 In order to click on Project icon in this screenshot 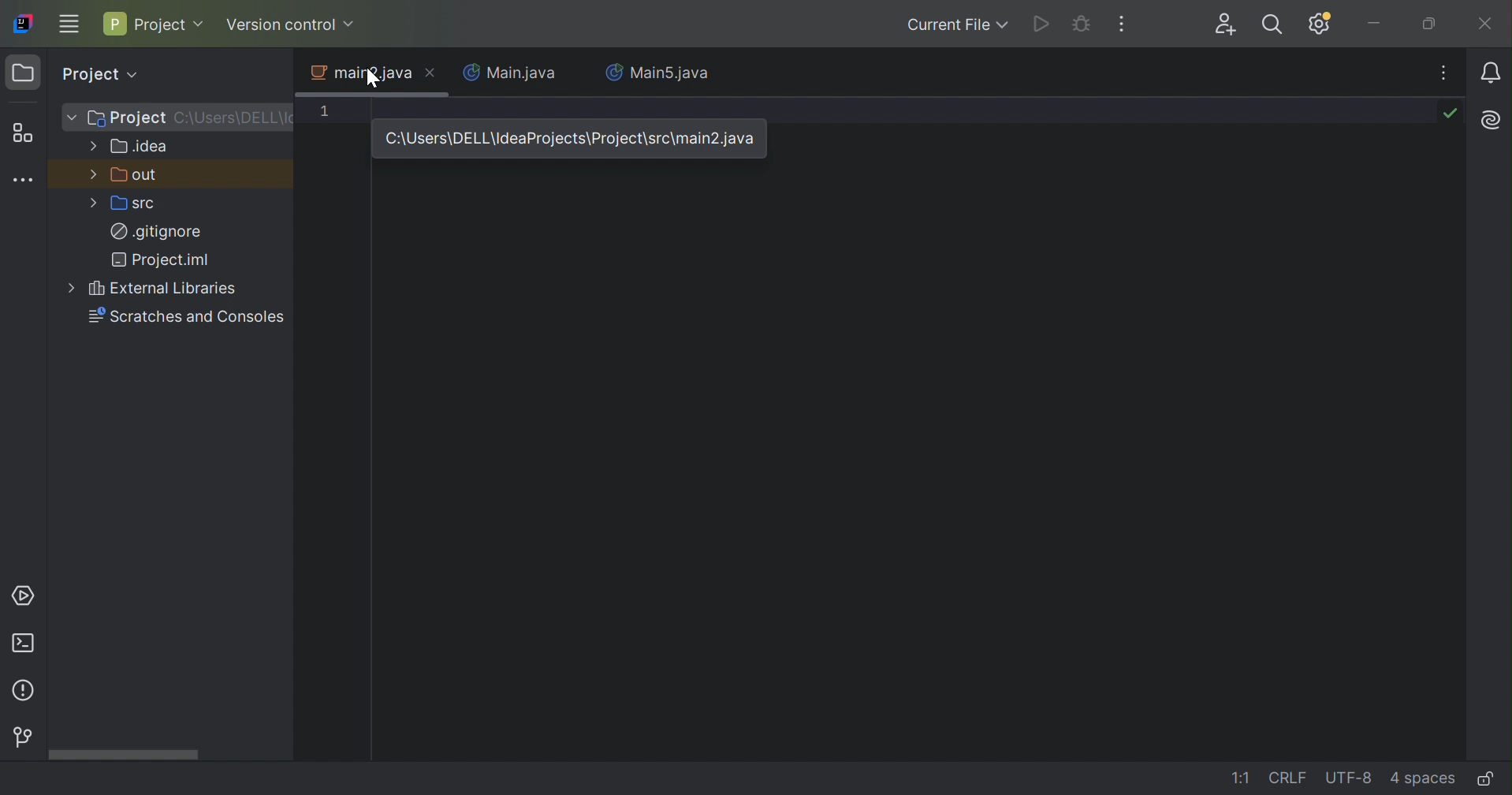, I will do `click(23, 74)`.